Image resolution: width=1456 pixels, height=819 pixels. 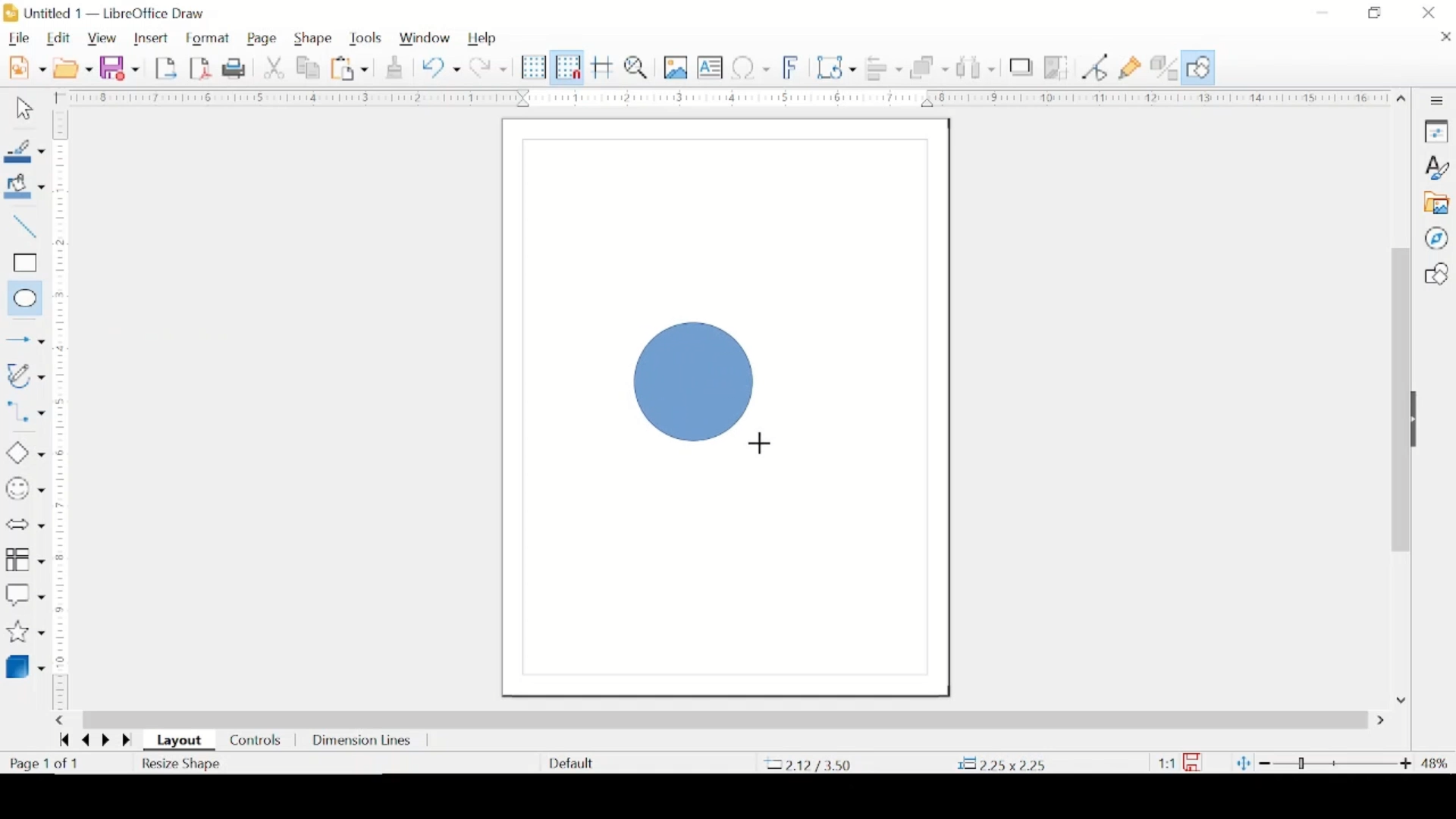 What do you see at coordinates (125, 741) in the screenshot?
I see `go forwards` at bounding box center [125, 741].